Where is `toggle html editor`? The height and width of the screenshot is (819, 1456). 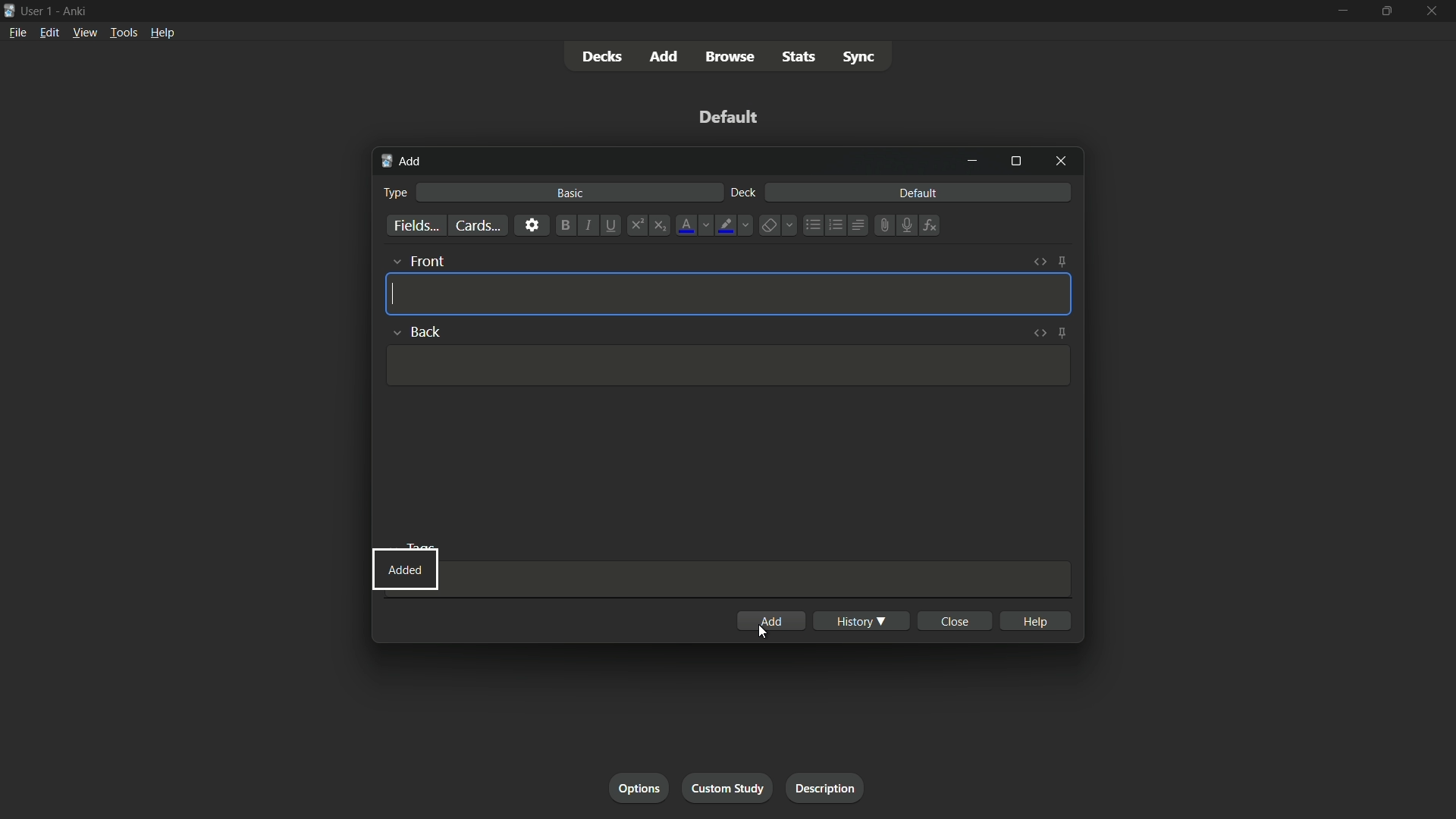
toggle html editor is located at coordinates (1040, 334).